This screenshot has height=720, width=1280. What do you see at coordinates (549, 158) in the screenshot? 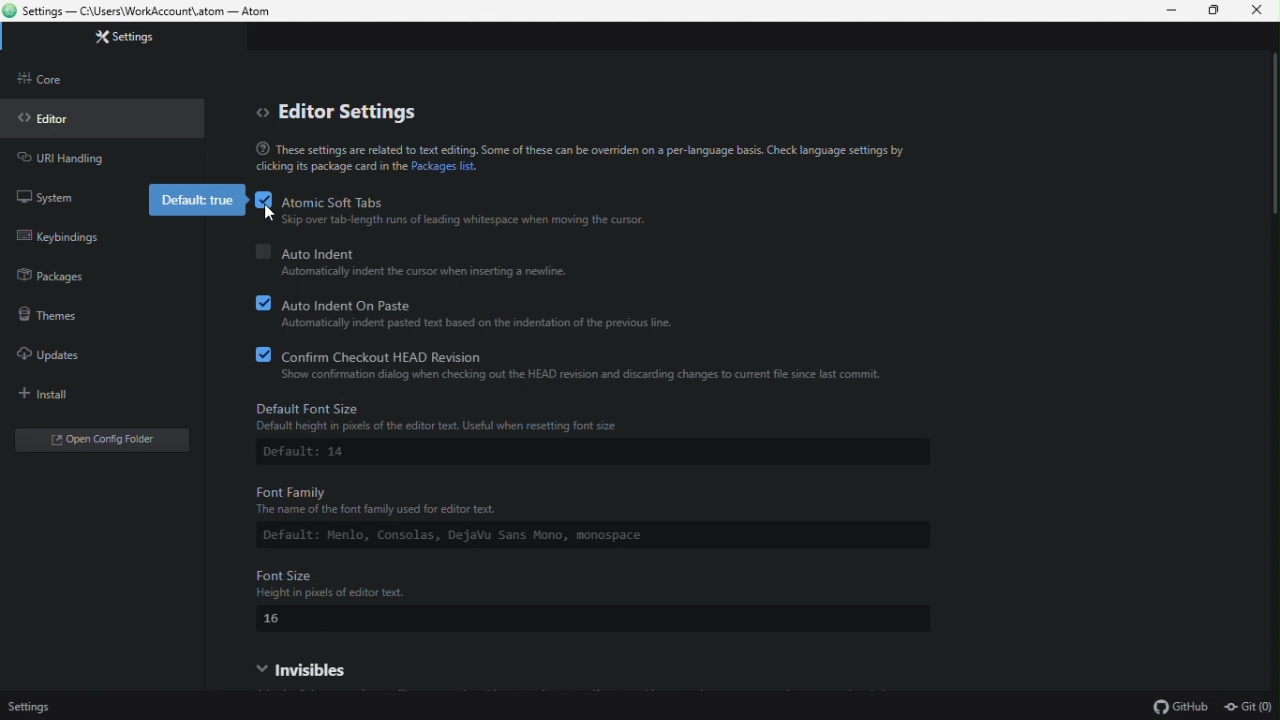
I see `® These settings are related to text editing. Some of these can be override on a per-language basis. Check language settings by clicking its package card the Packages list.` at bounding box center [549, 158].